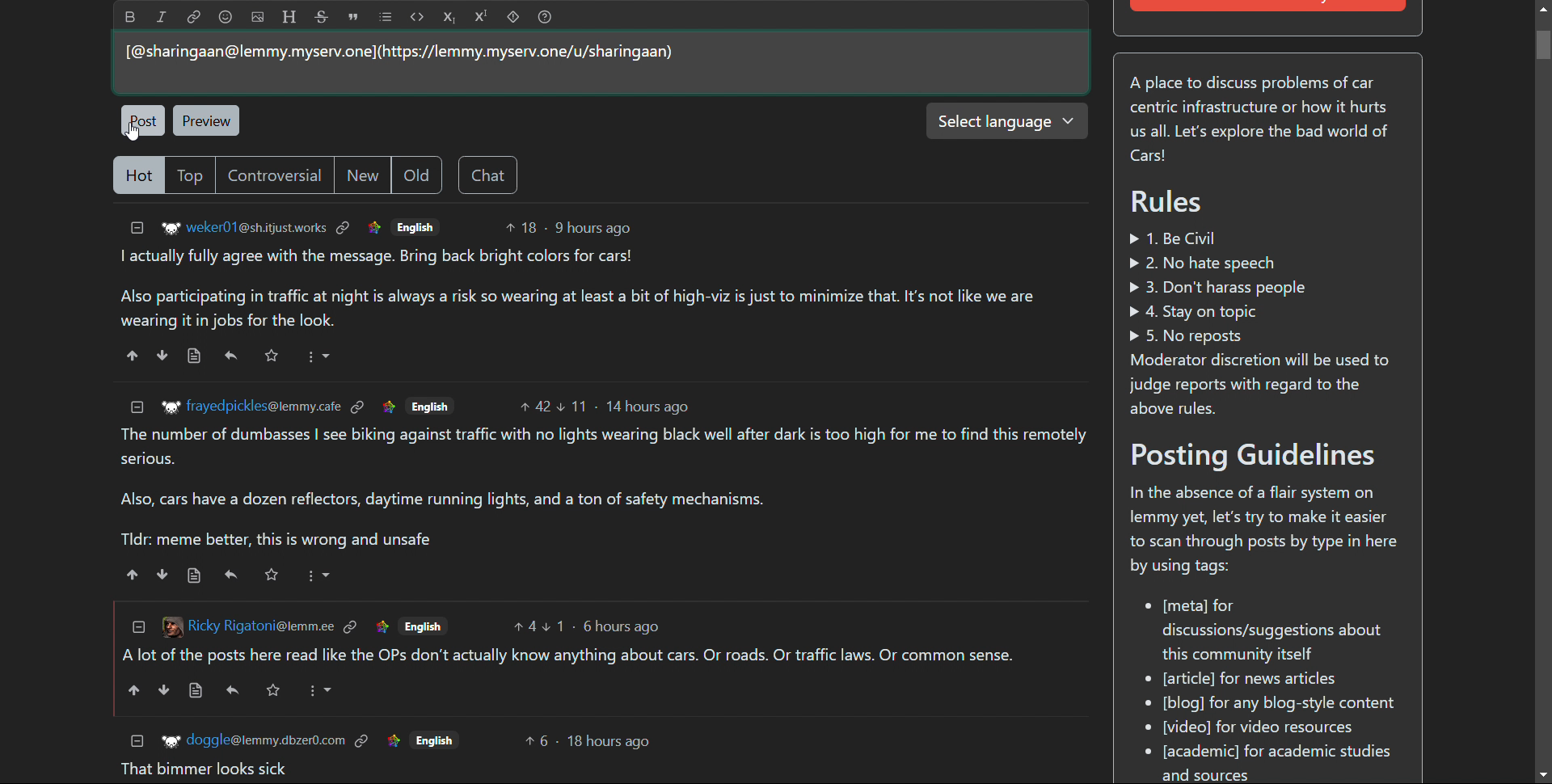  What do you see at coordinates (233, 689) in the screenshot?
I see `reply` at bounding box center [233, 689].